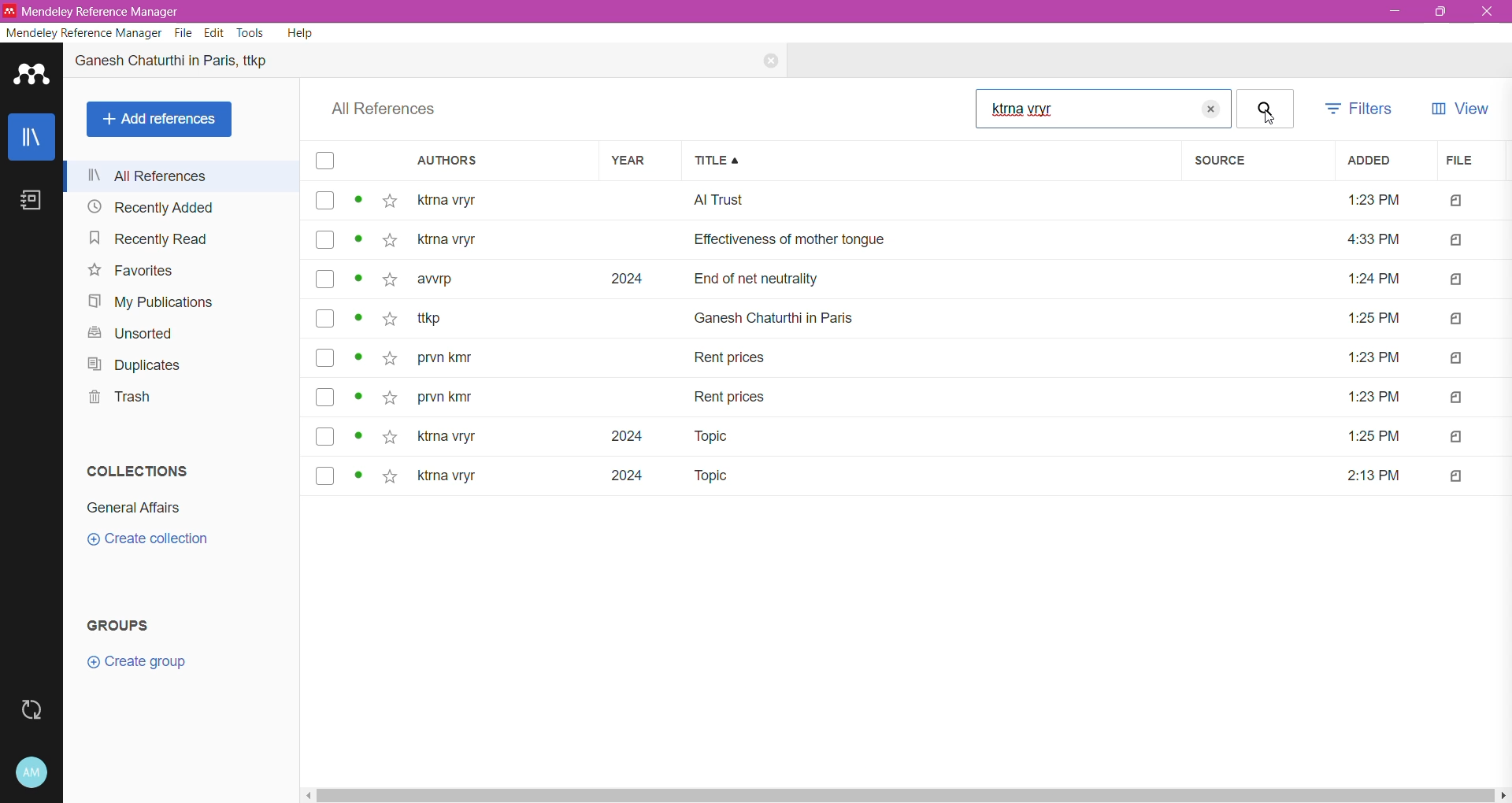  I want to click on file type, so click(1456, 361).